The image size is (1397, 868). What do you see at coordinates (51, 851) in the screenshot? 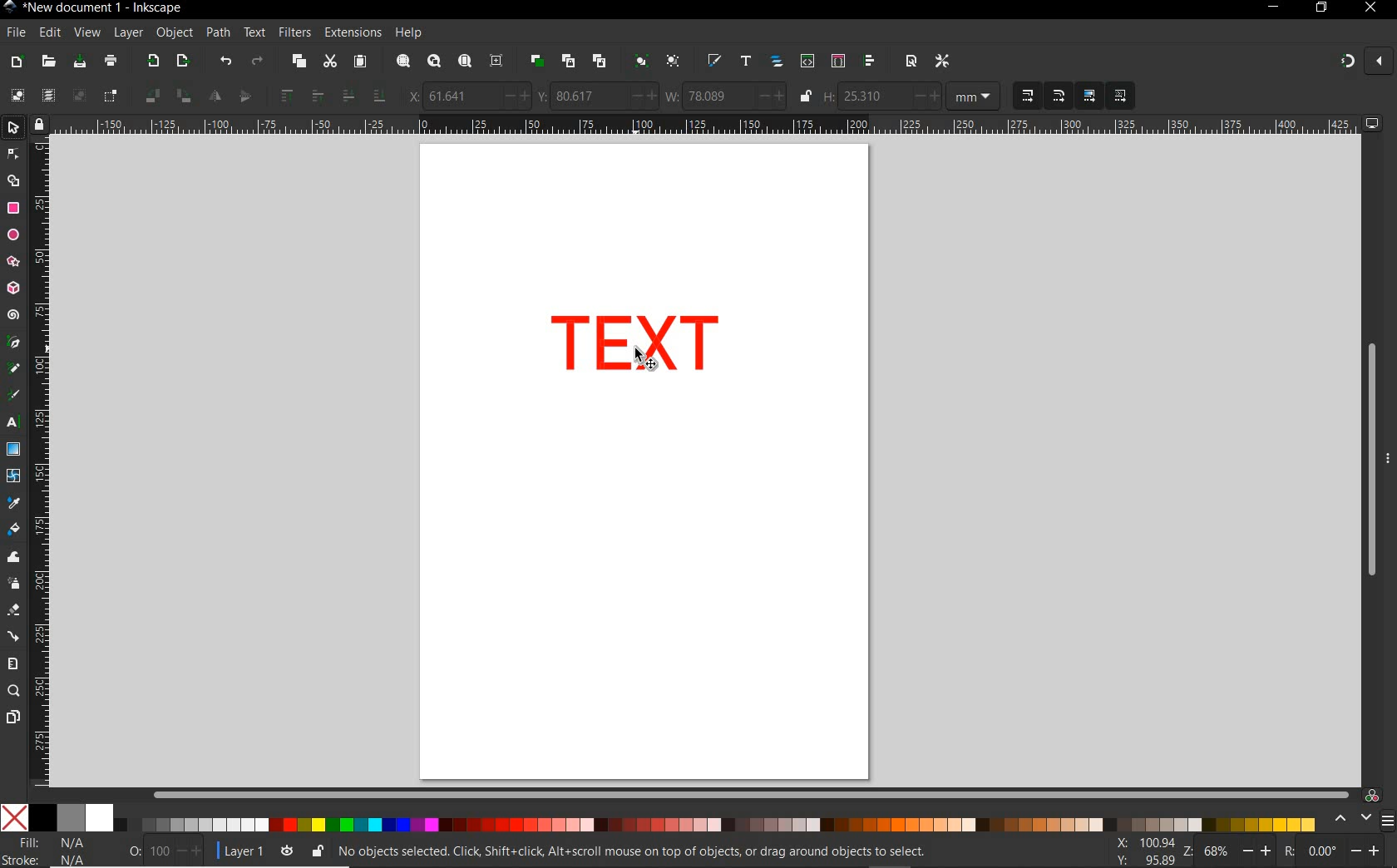
I see `fill and stroke` at bounding box center [51, 851].